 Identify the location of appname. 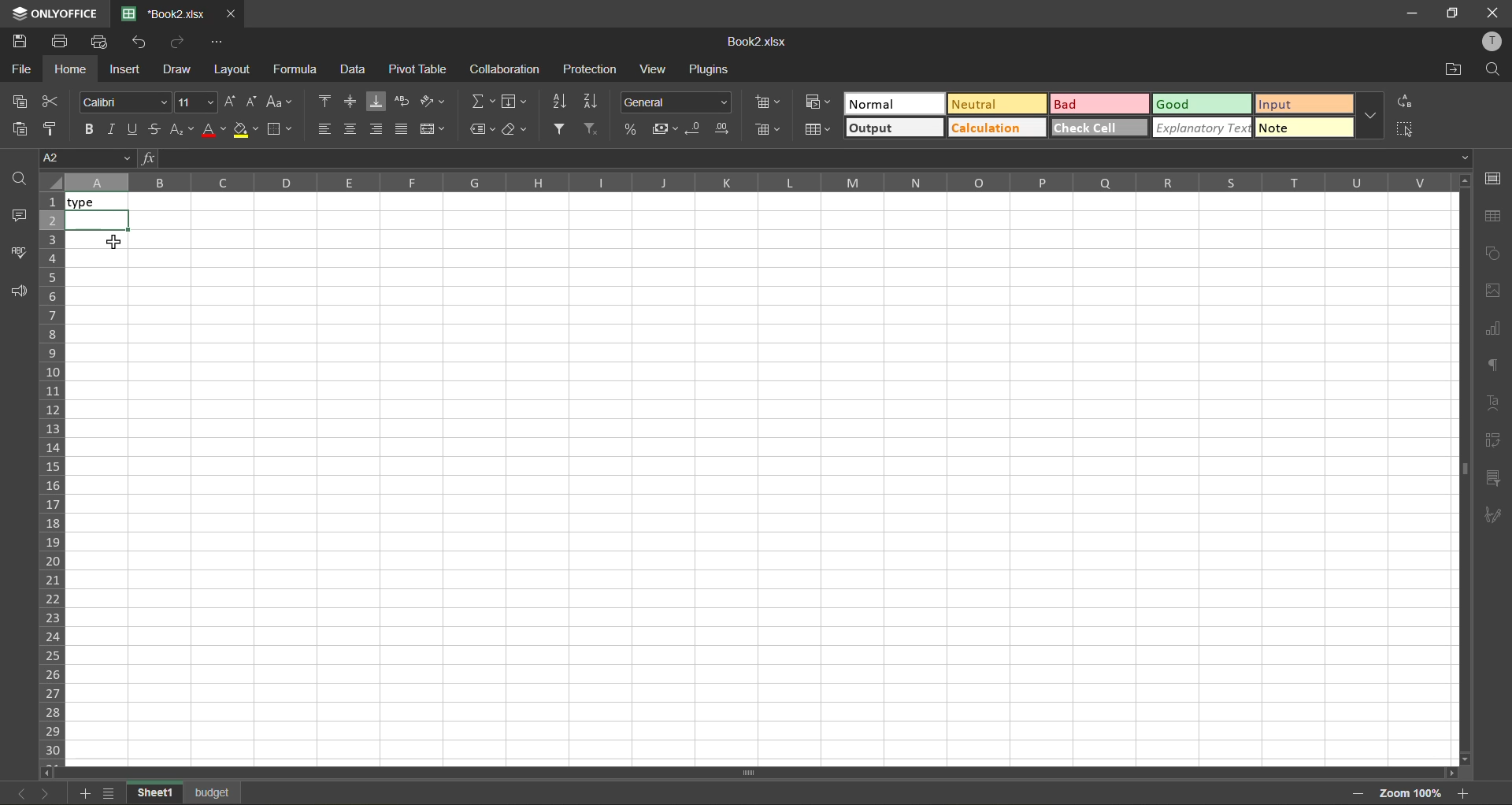
(53, 14).